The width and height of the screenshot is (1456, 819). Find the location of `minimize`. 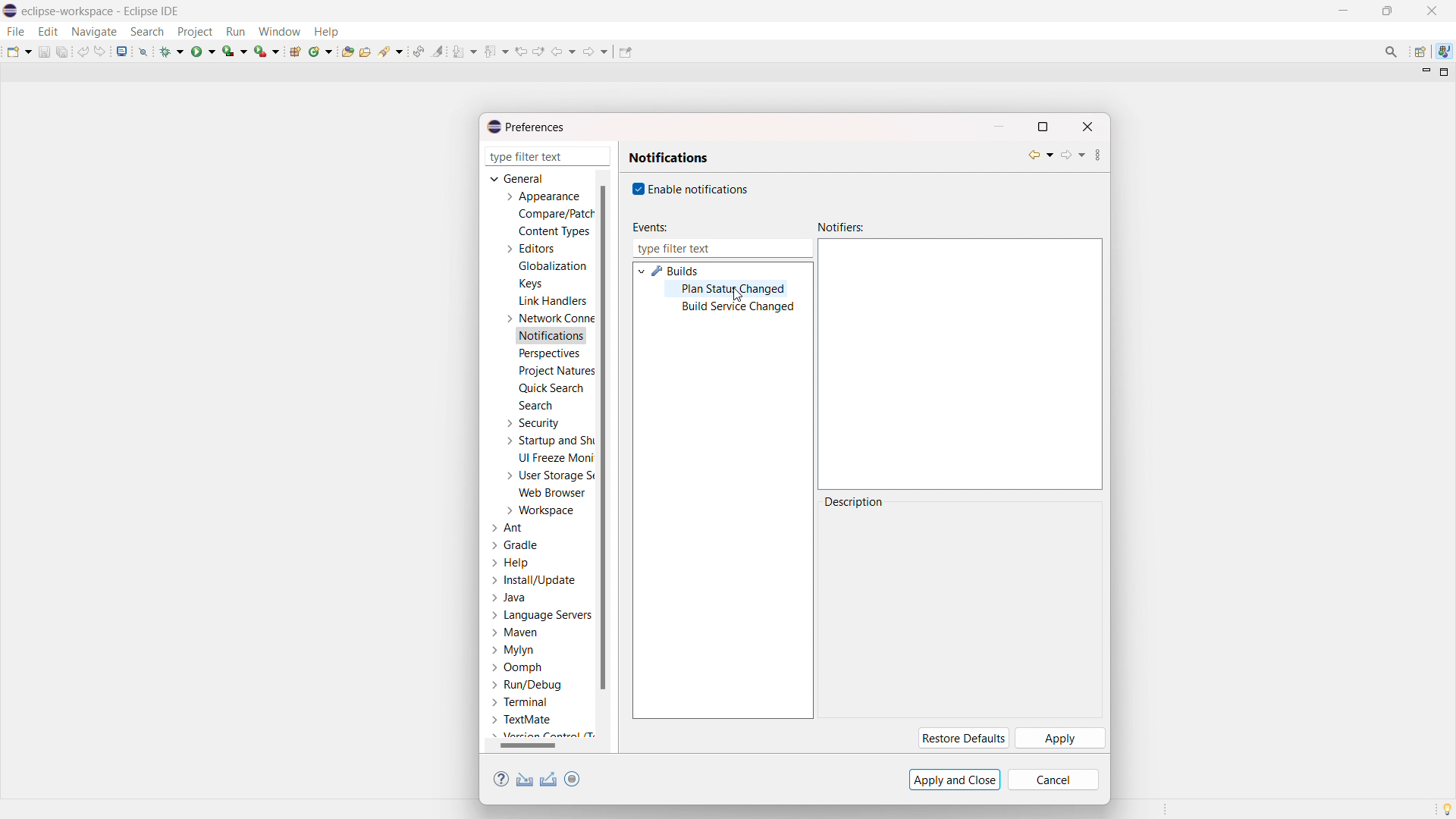

minimize is located at coordinates (1347, 11).